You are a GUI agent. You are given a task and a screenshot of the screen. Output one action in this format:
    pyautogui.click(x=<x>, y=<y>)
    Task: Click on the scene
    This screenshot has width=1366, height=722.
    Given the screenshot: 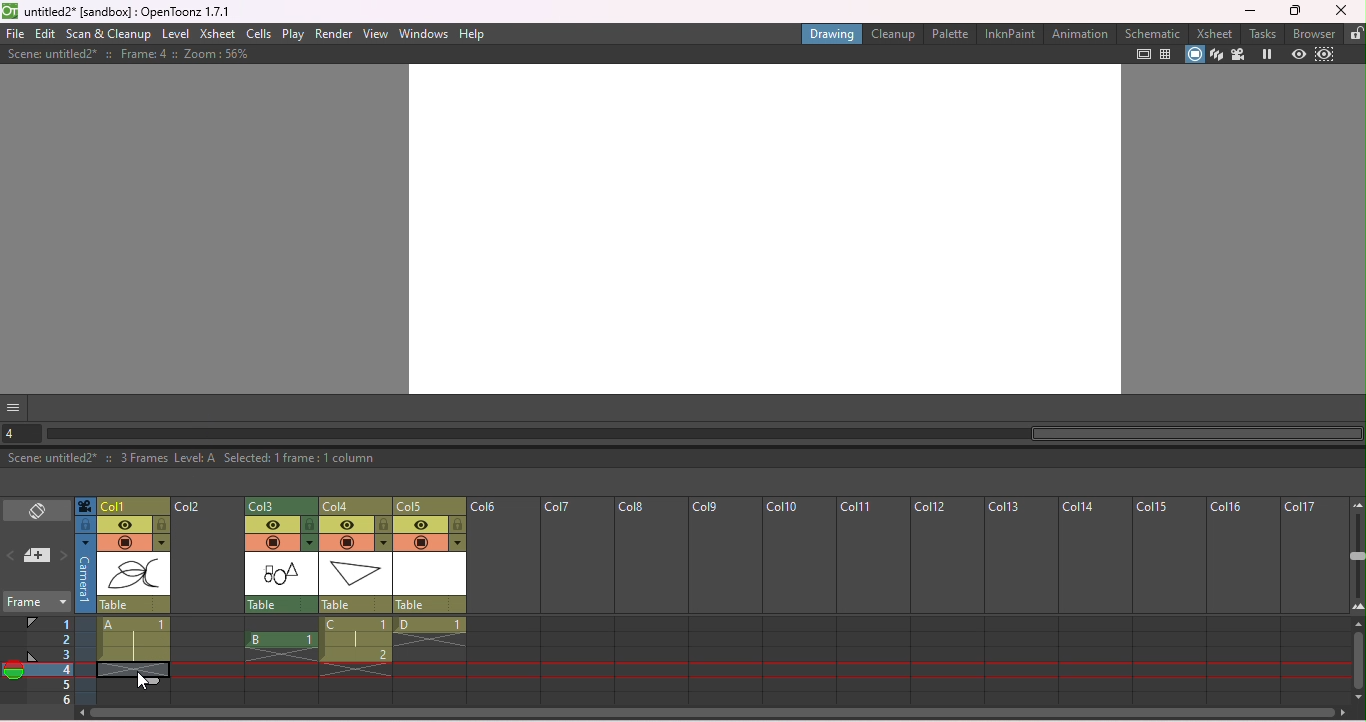 What is the action you would take?
    pyautogui.click(x=355, y=573)
    